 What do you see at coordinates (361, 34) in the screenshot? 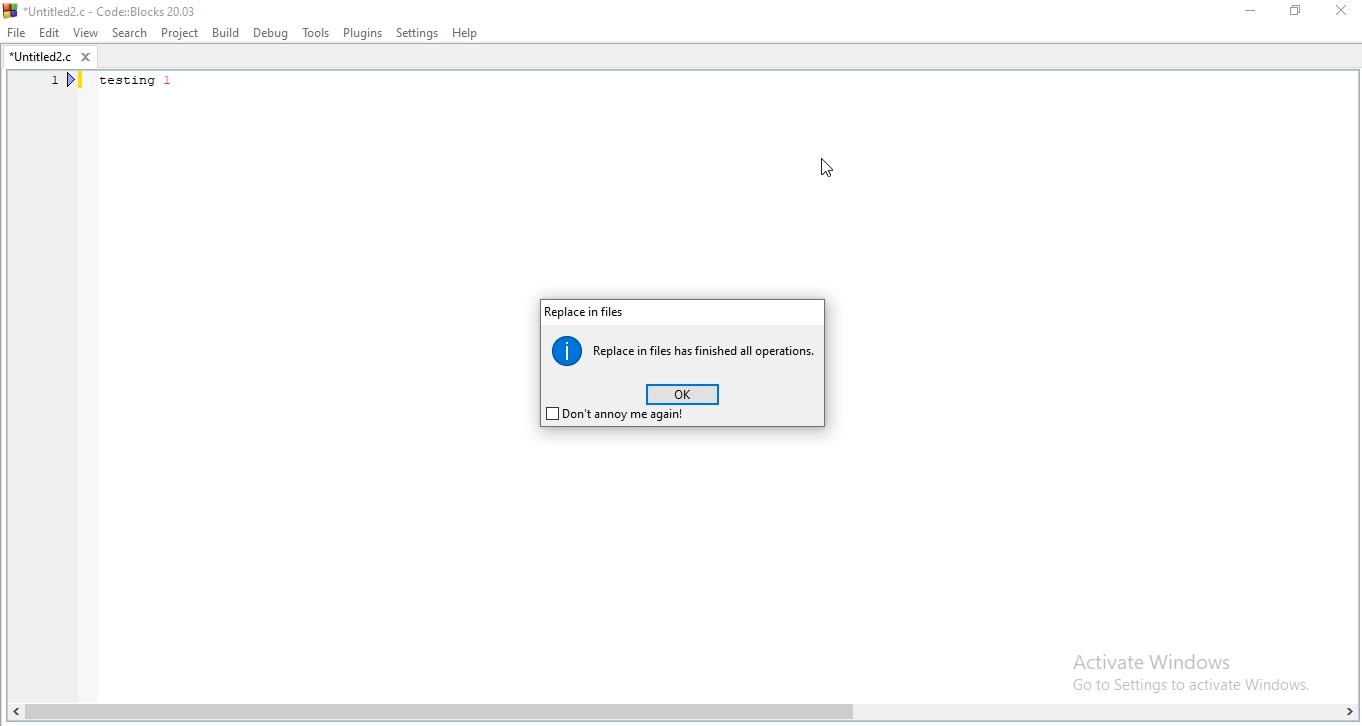
I see `Plugins ` at bounding box center [361, 34].